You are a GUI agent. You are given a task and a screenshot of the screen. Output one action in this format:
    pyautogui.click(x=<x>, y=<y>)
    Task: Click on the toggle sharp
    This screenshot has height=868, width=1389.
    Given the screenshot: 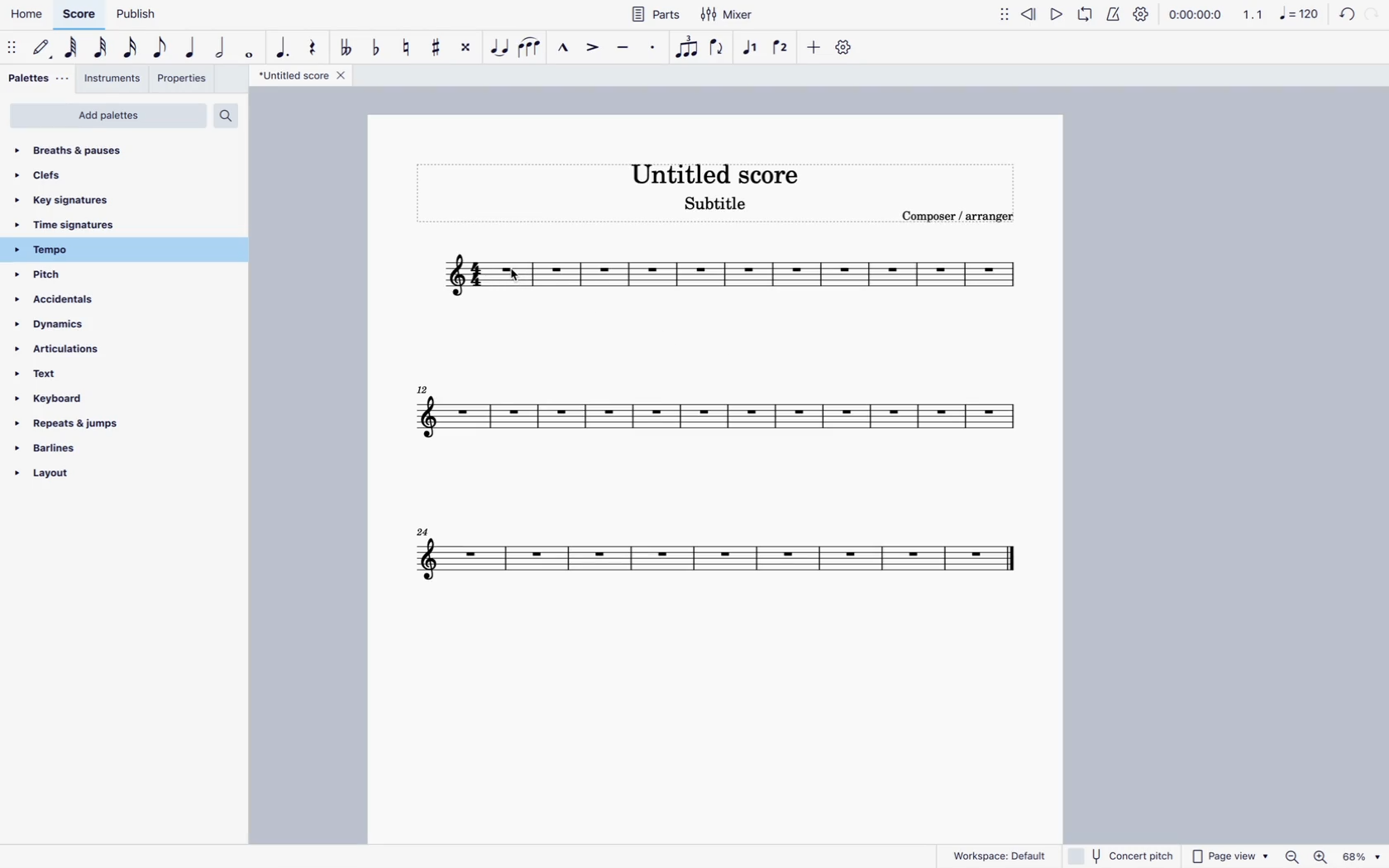 What is the action you would take?
    pyautogui.click(x=438, y=44)
    